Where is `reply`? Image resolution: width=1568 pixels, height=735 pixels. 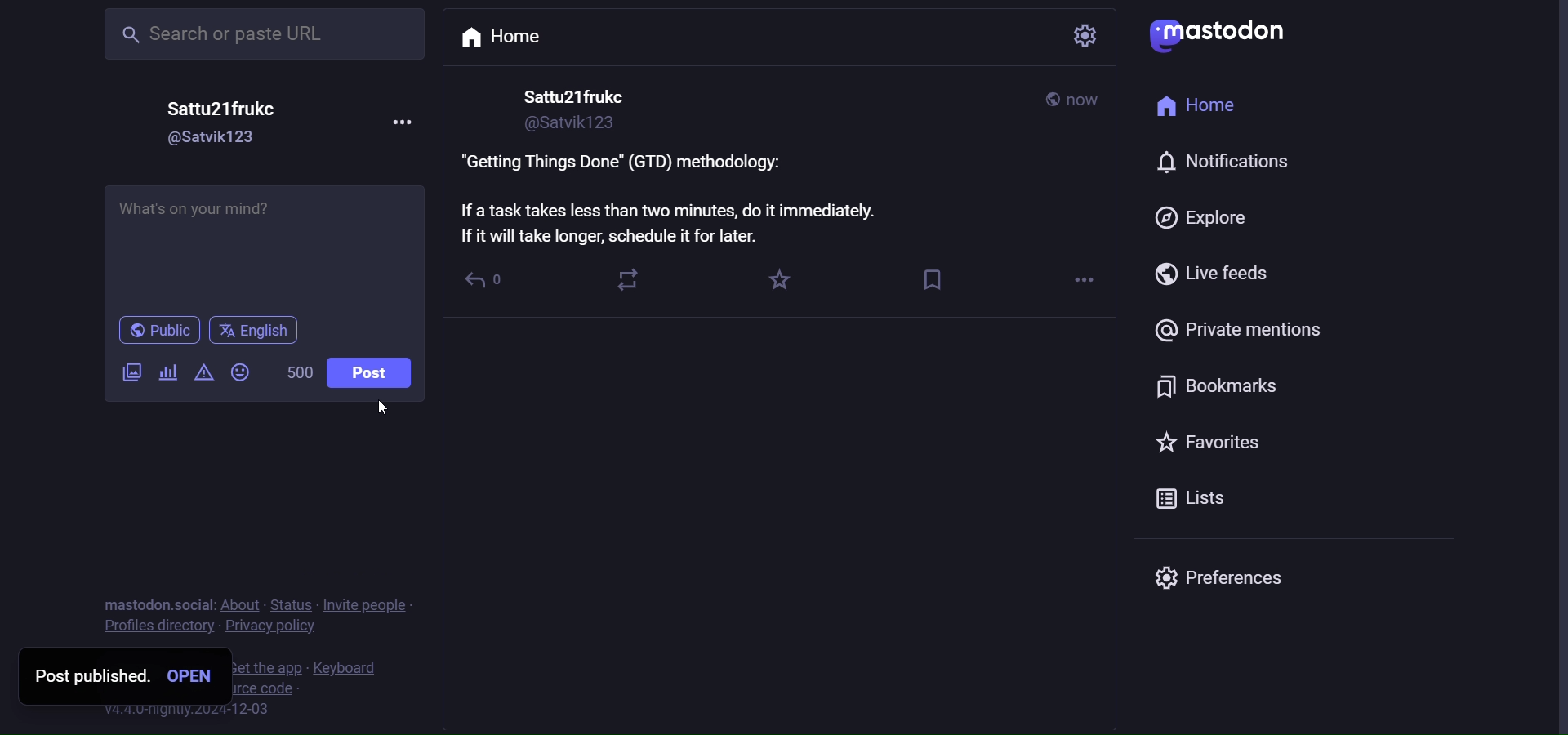 reply is located at coordinates (483, 283).